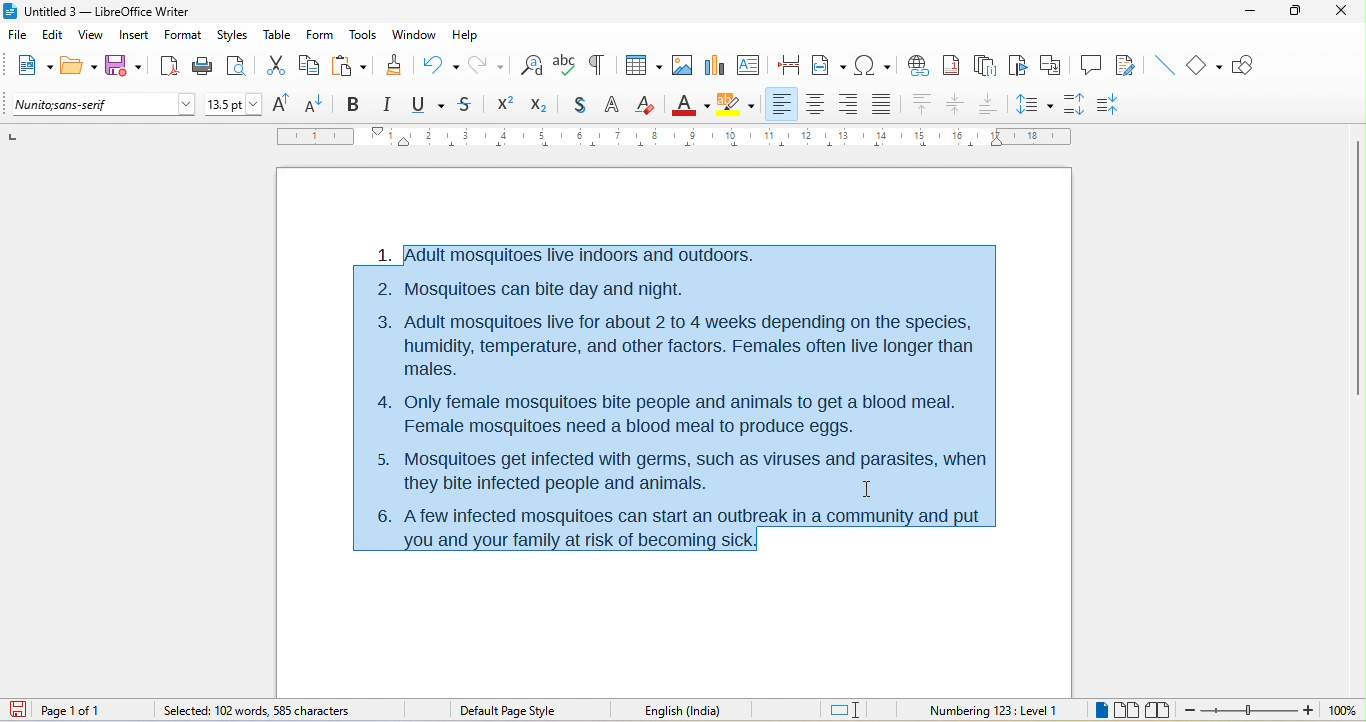 The width and height of the screenshot is (1366, 722). Describe the element at coordinates (1121, 102) in the screenshot. I see `decrease paragraph spacing` at that location.